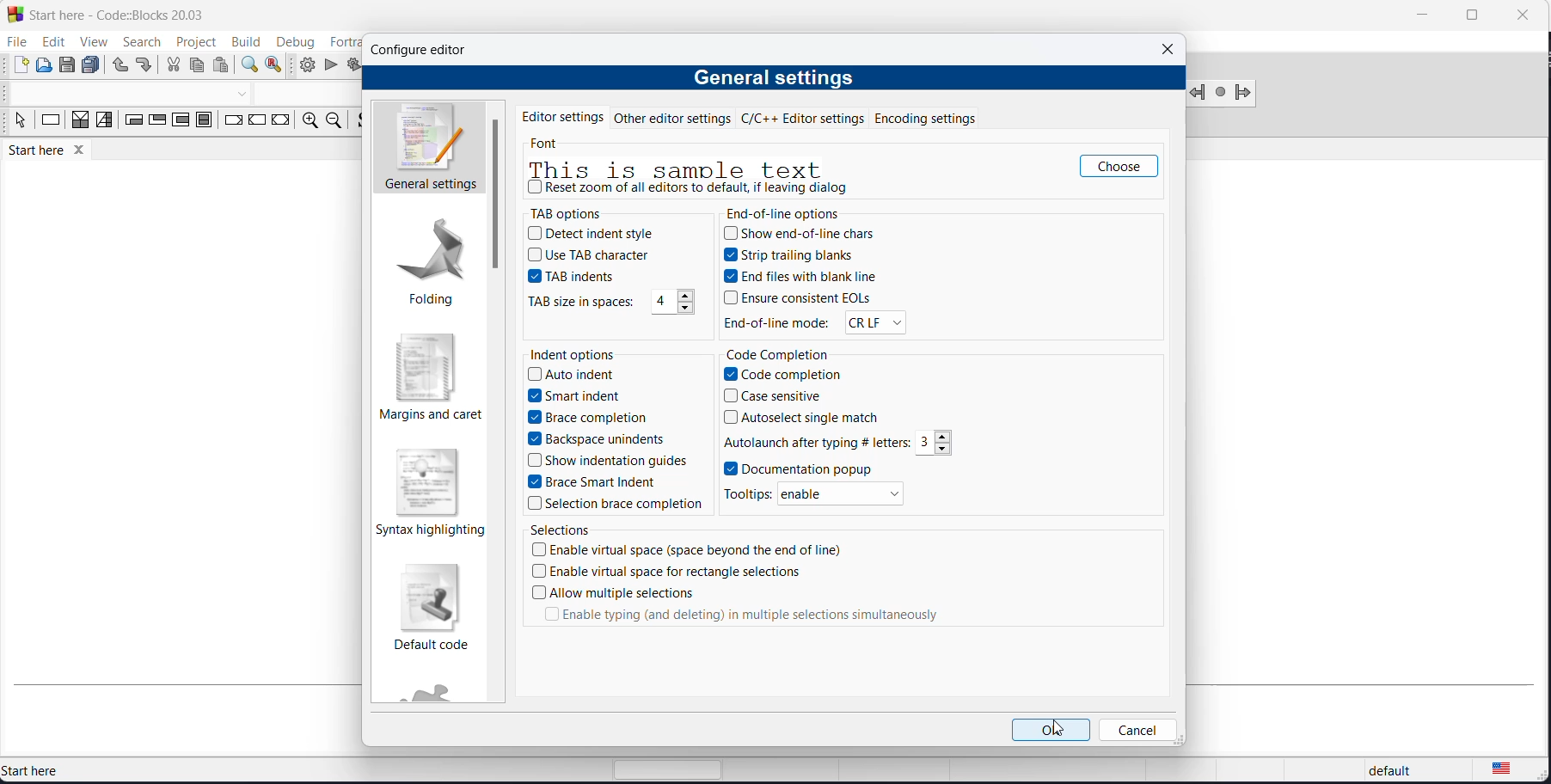 The width and height of the screenshot is (1551, 784). What do you see at coordinates (810, 298) in the screenshot?
I see `ensure consistent EOLs ` at bounding box center [810, 298].